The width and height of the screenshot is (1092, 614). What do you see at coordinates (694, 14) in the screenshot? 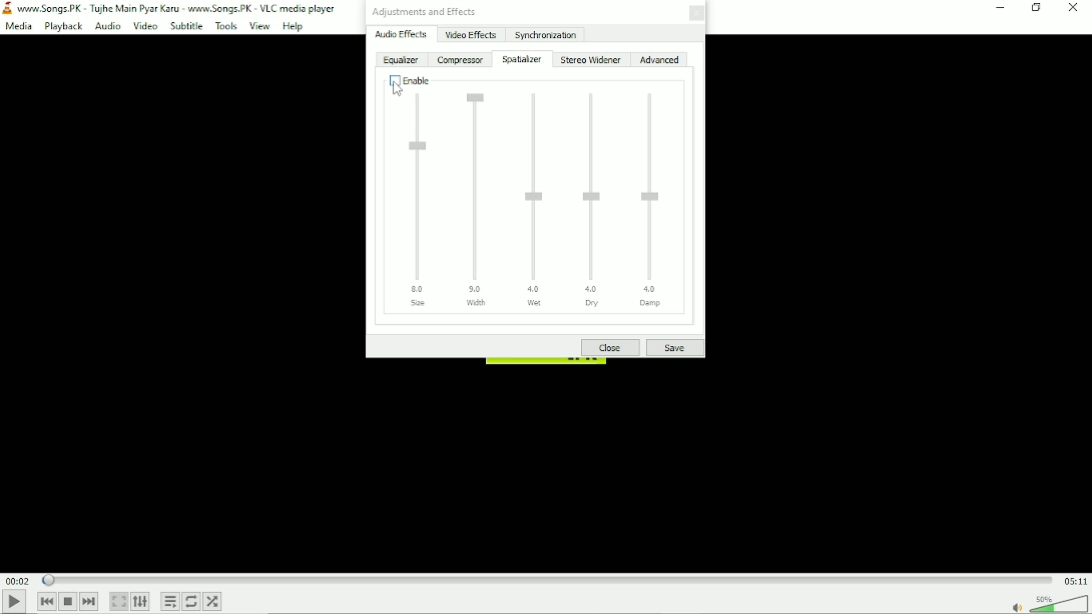
I see `Close` at bounding box center [694, 14].